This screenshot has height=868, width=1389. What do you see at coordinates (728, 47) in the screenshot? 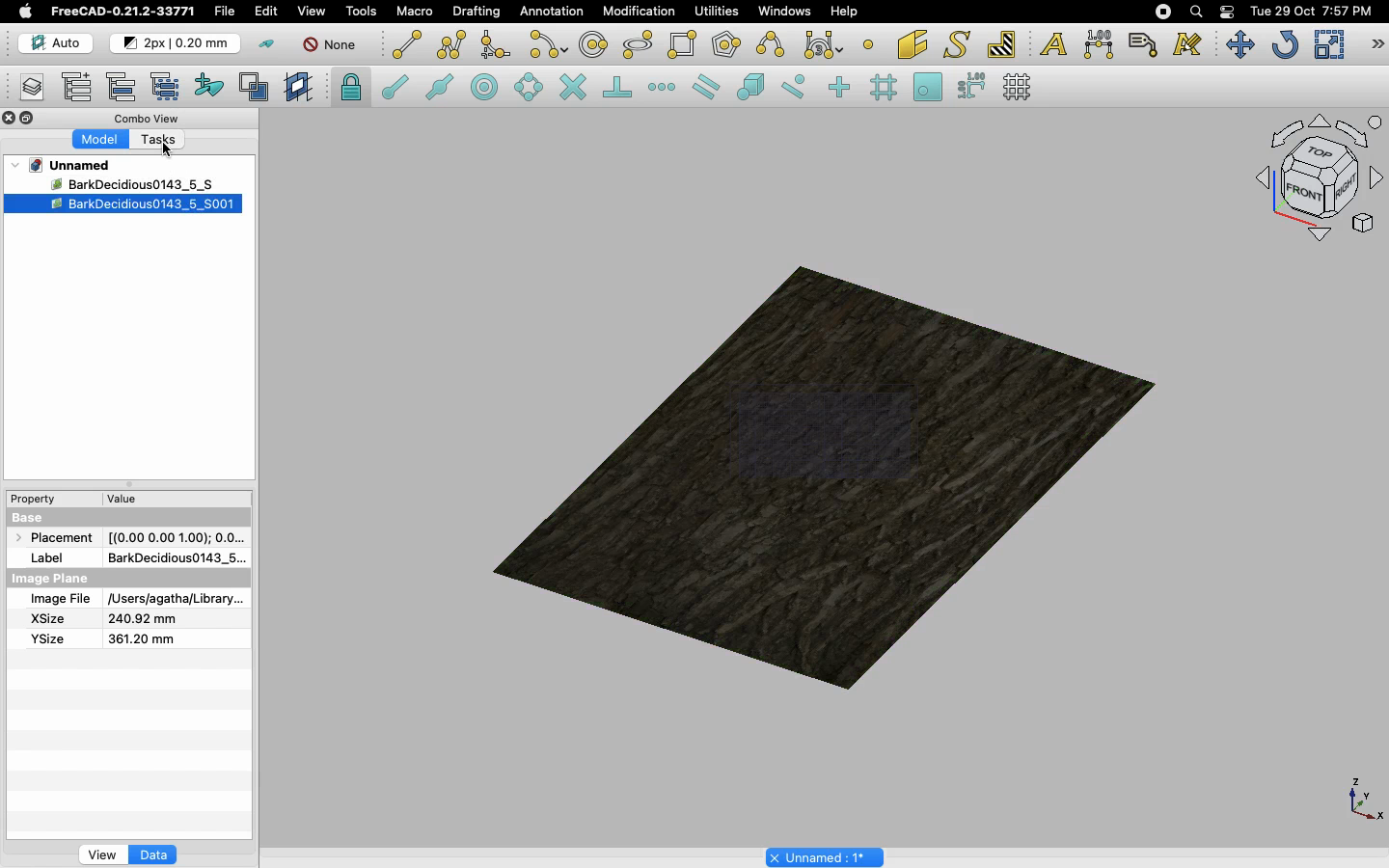
I see `Polygon` at bounding box center [728, 47].